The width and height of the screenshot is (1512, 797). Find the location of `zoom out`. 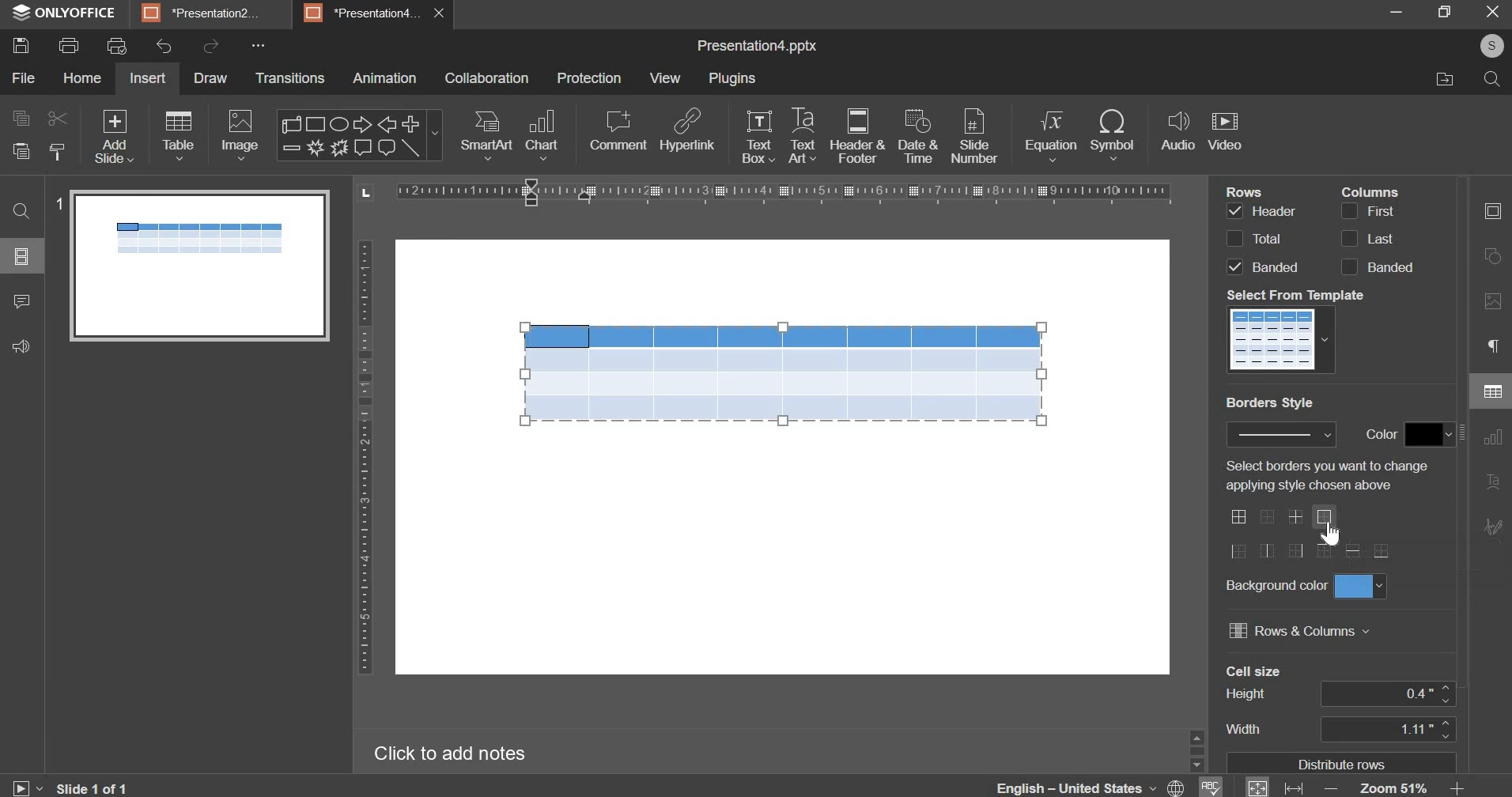

zoom out is located at coordinates (1332, 790).